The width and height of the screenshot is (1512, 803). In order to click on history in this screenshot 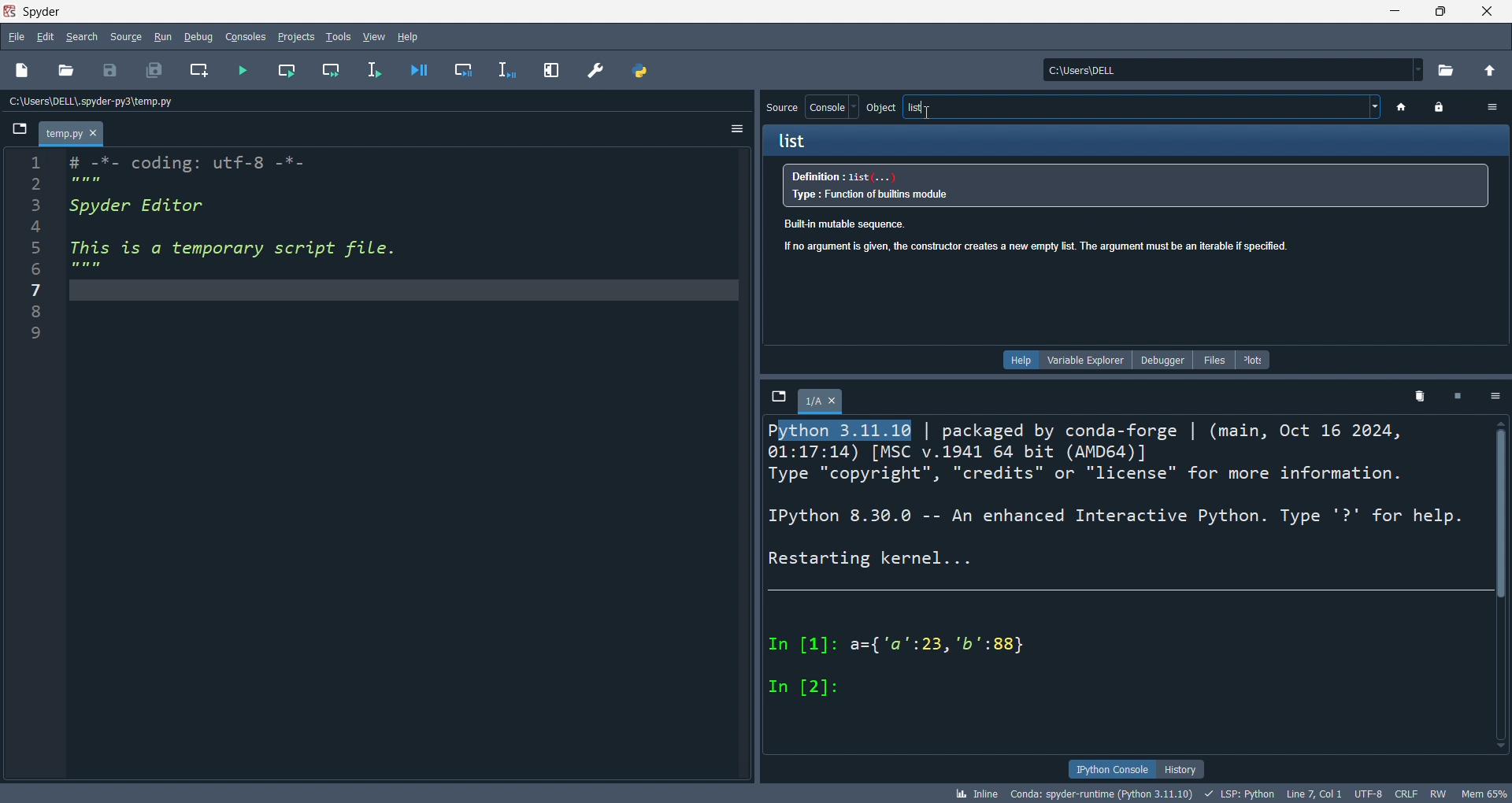, I will do `click(1180, 768)`.